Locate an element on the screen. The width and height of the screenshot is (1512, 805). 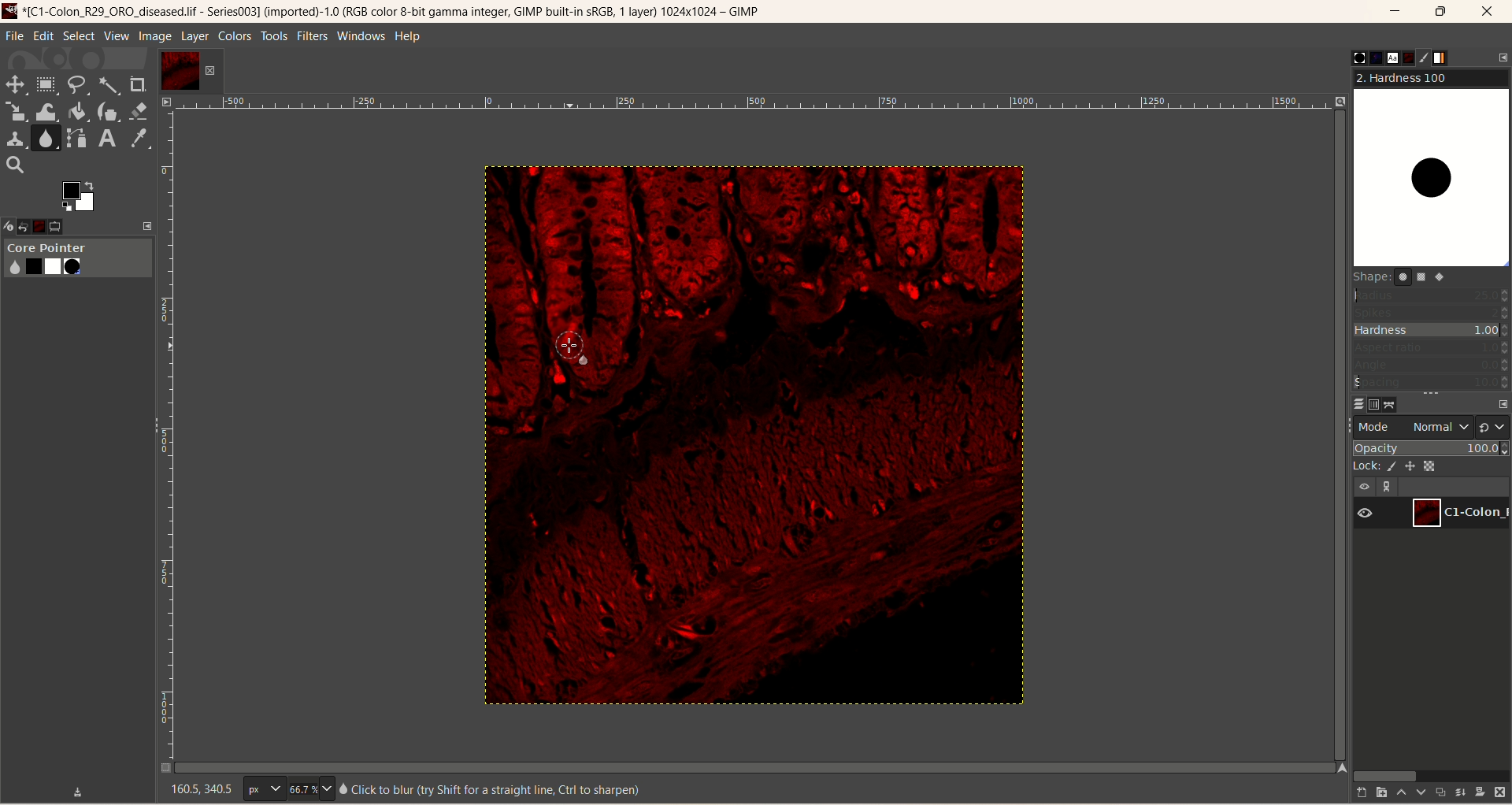
configure this tab is located at coordinates (1503, 57).